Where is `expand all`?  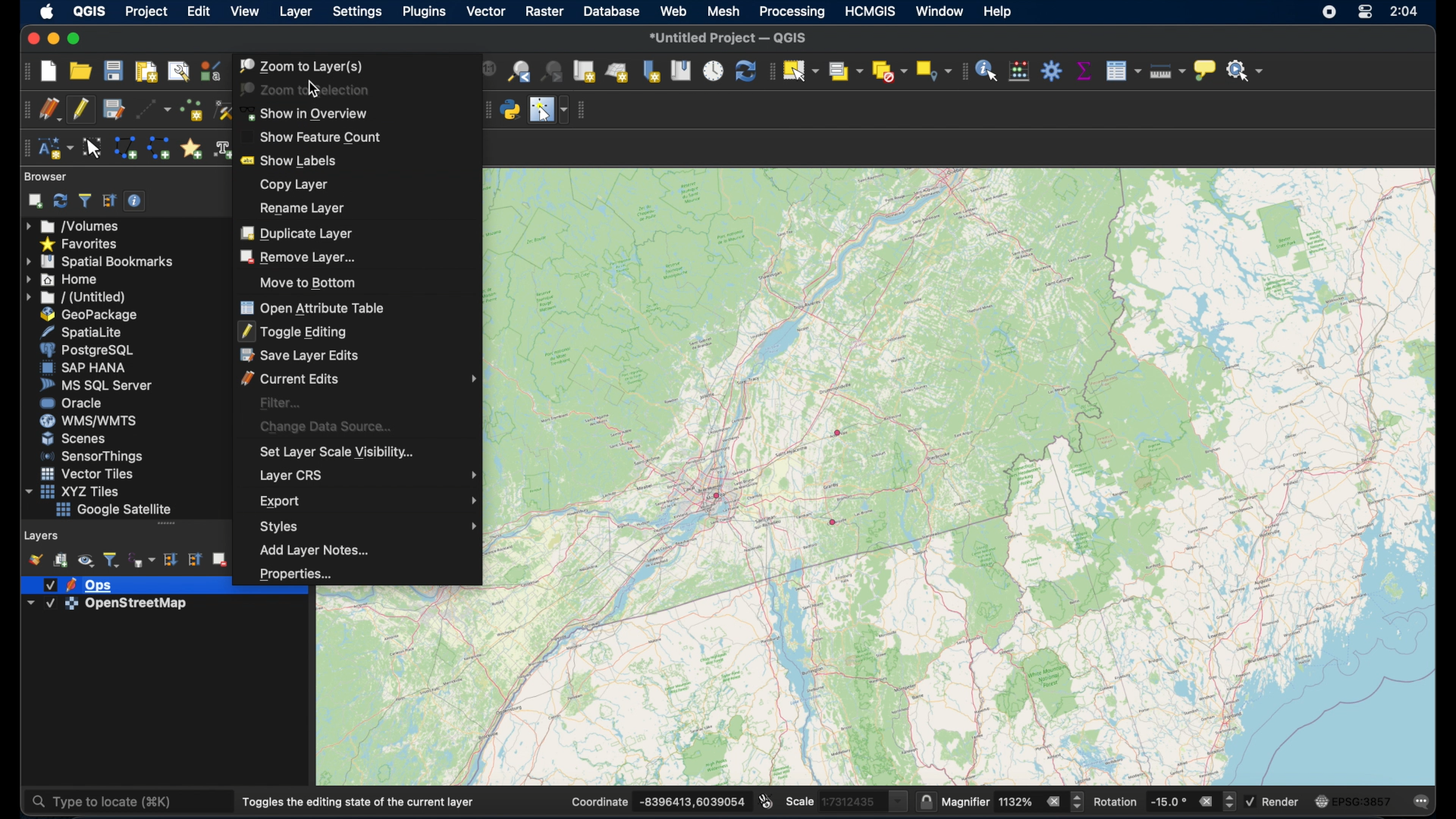
expand all is located at coordinates (170, 559).